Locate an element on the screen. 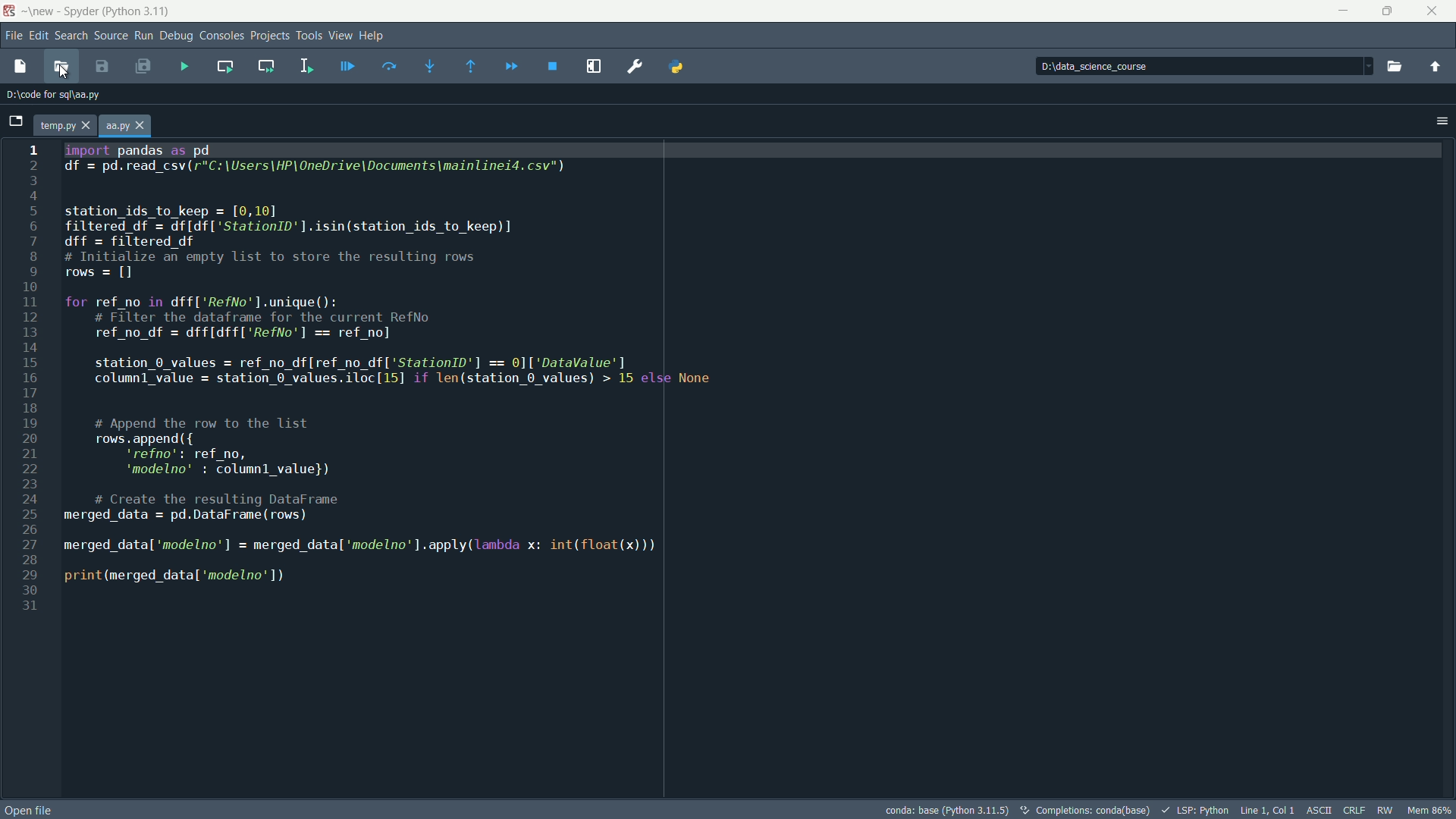  Edit menu is located at coordinates (40, 36).